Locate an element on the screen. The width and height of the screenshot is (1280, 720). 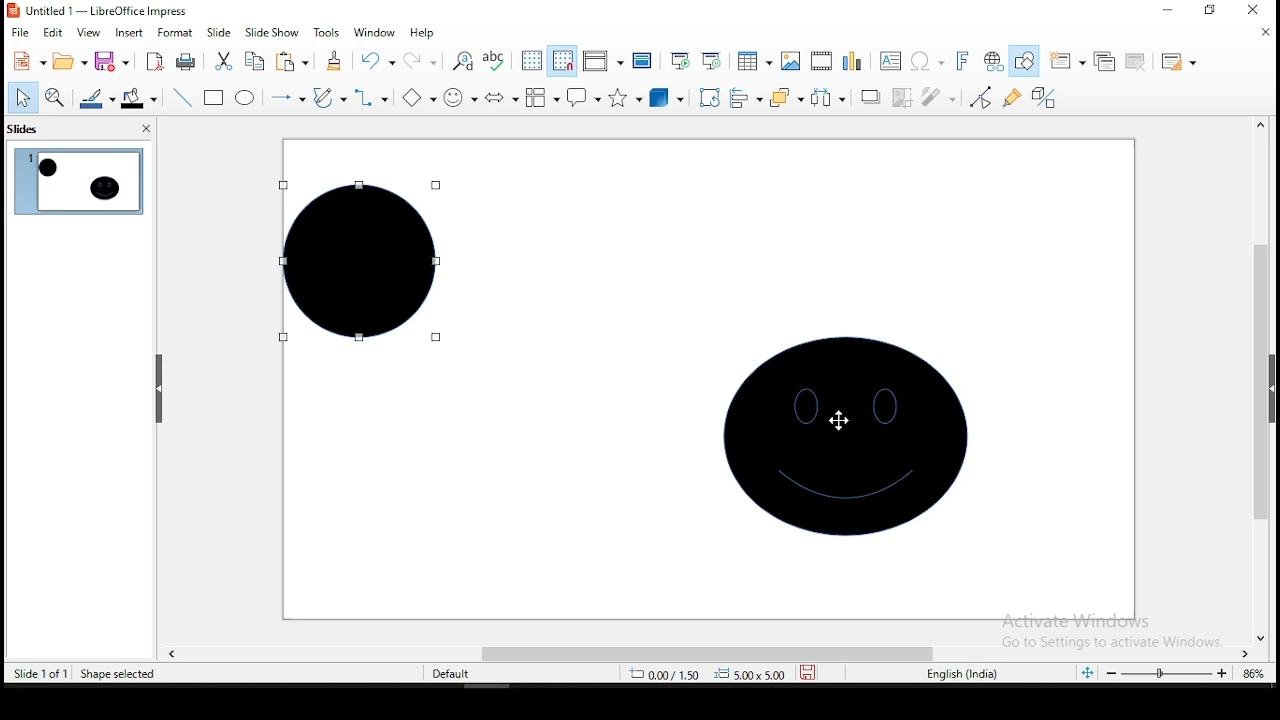
select tool is located at coordinates (23, 97).